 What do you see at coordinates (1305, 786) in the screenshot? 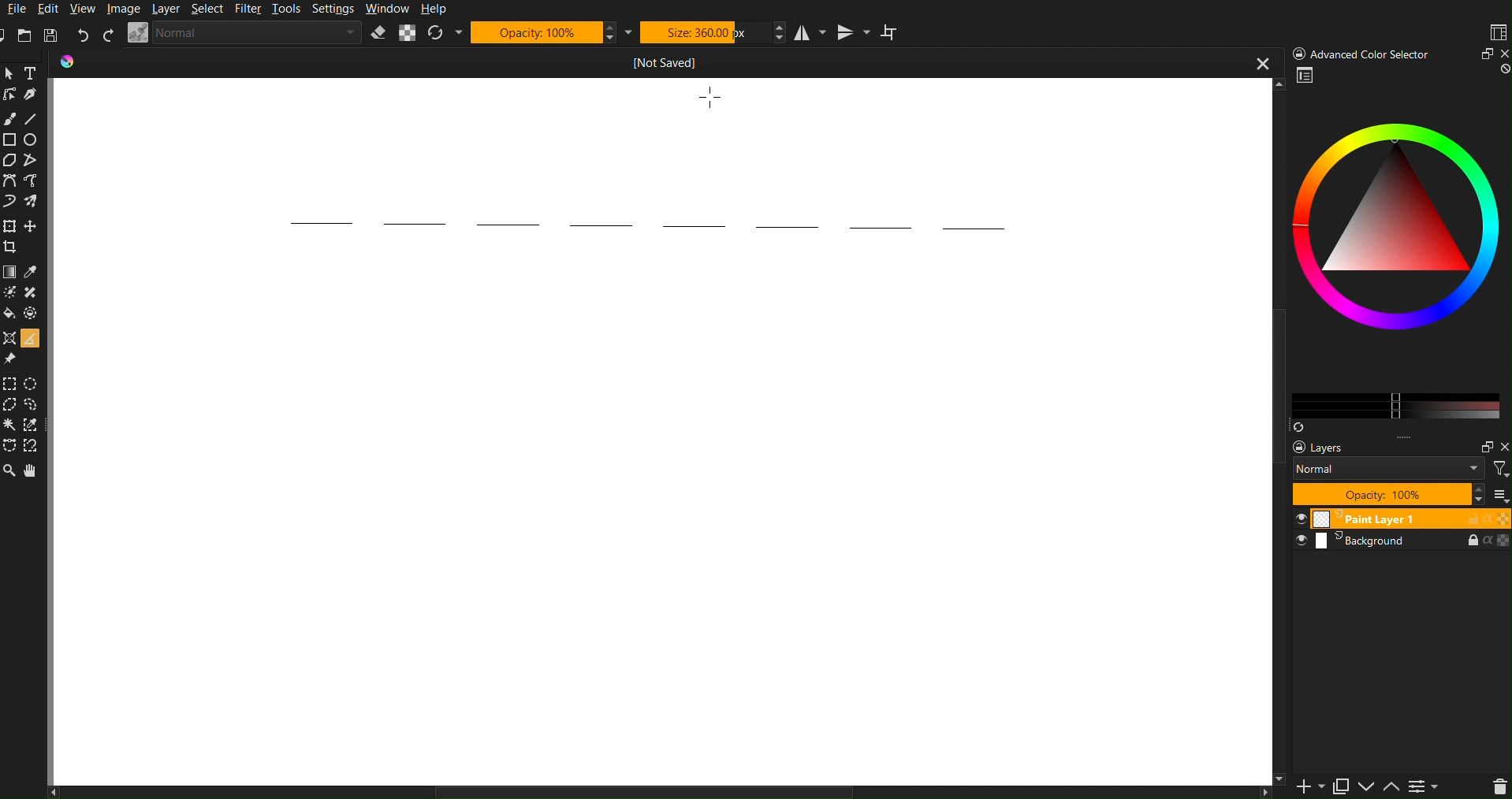
I see `New` at bounding box center [1305, 786].